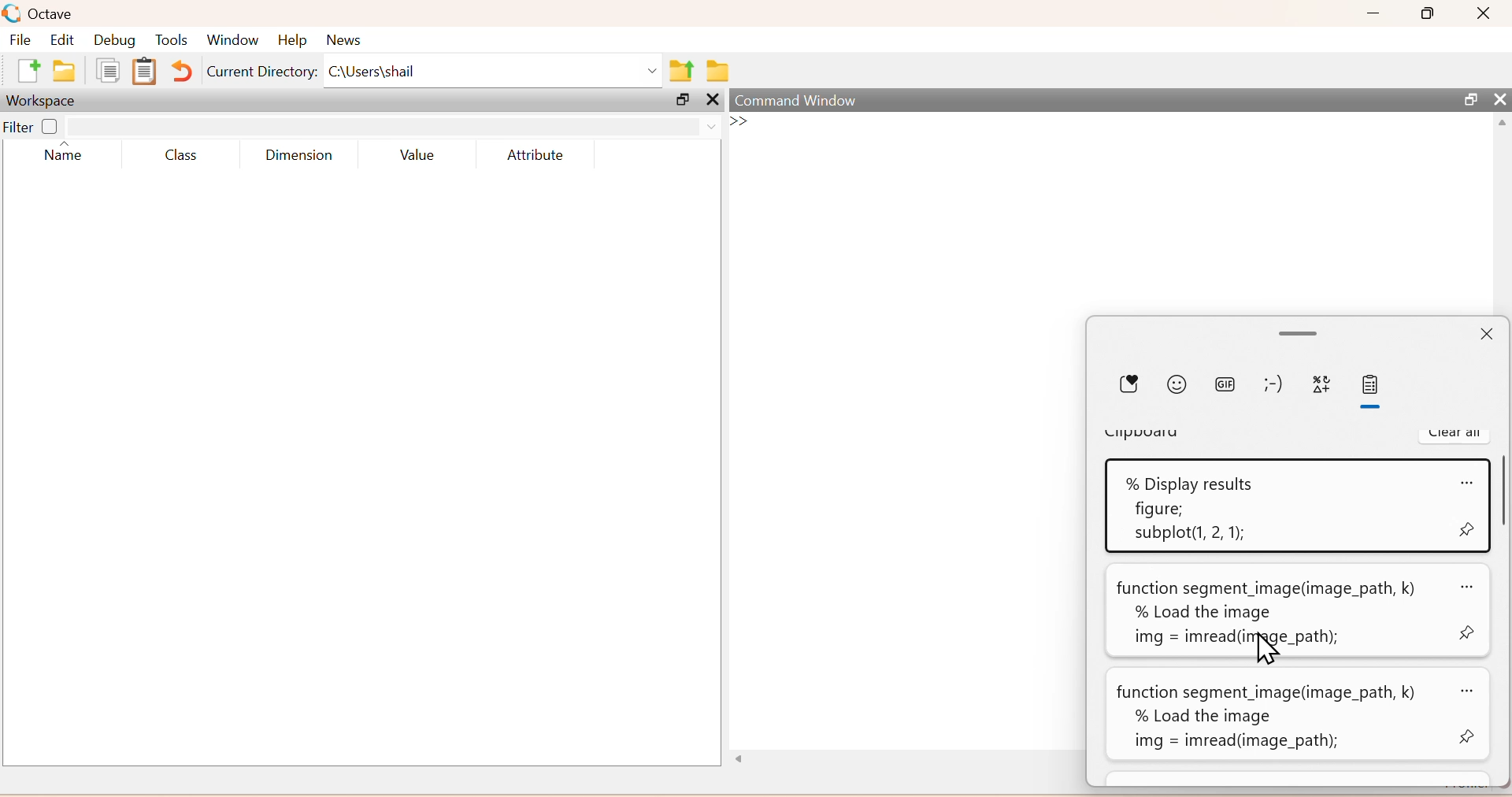 The height and width of the screenshot is (797, 1512). Describe the element at coordinates (1179, 385) in the screenshot. I see `emoji` at that location.